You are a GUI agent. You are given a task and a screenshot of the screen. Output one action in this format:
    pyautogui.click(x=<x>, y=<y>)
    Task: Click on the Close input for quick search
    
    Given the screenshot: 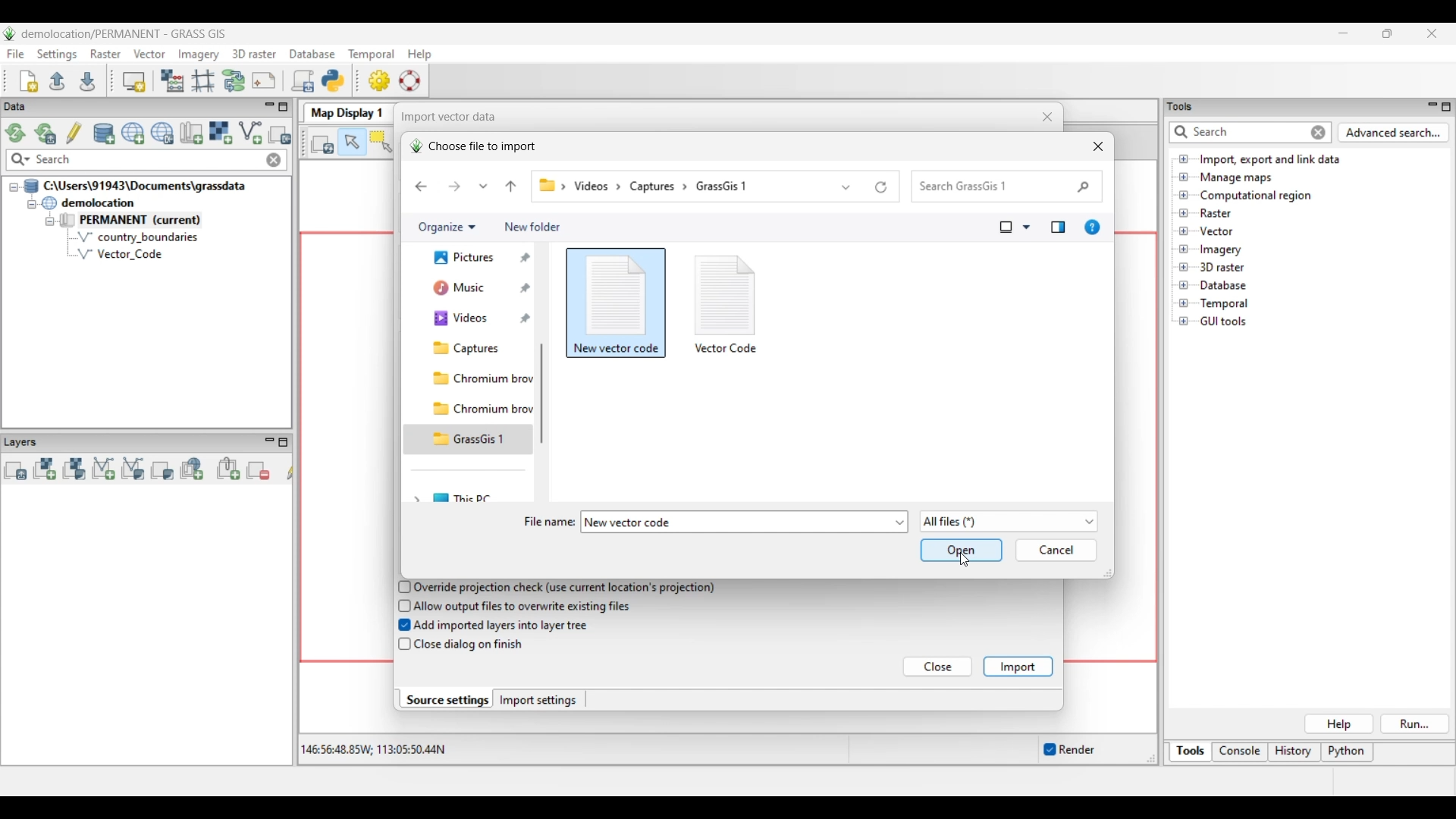 What is the action you would take?
    pyautogui.click(x=1319, y=133)
    